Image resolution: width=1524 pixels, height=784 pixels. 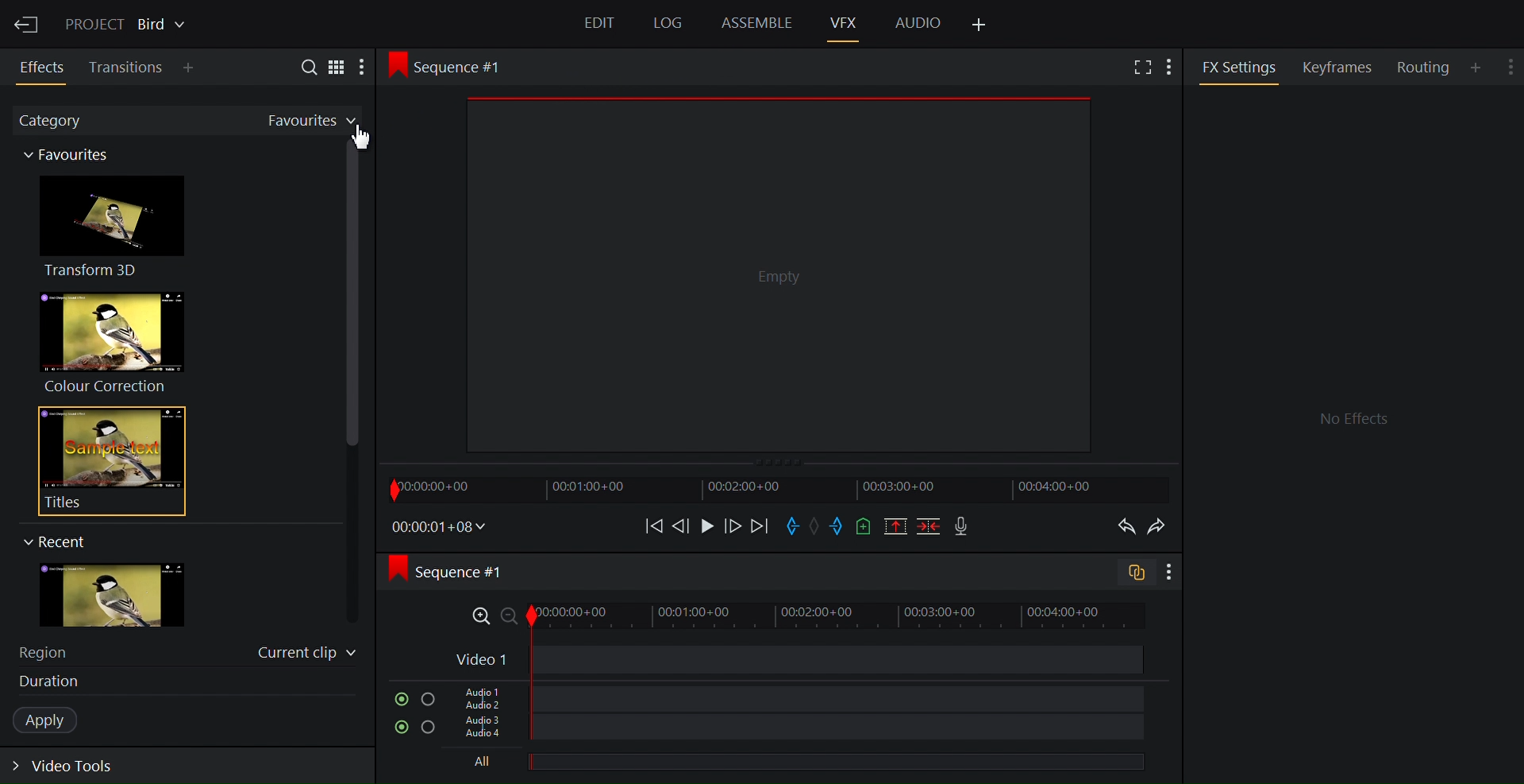 What do you see at coordinates (113, 462) in the screenshot?
I see `Titles` at bounding box center [113, 462].